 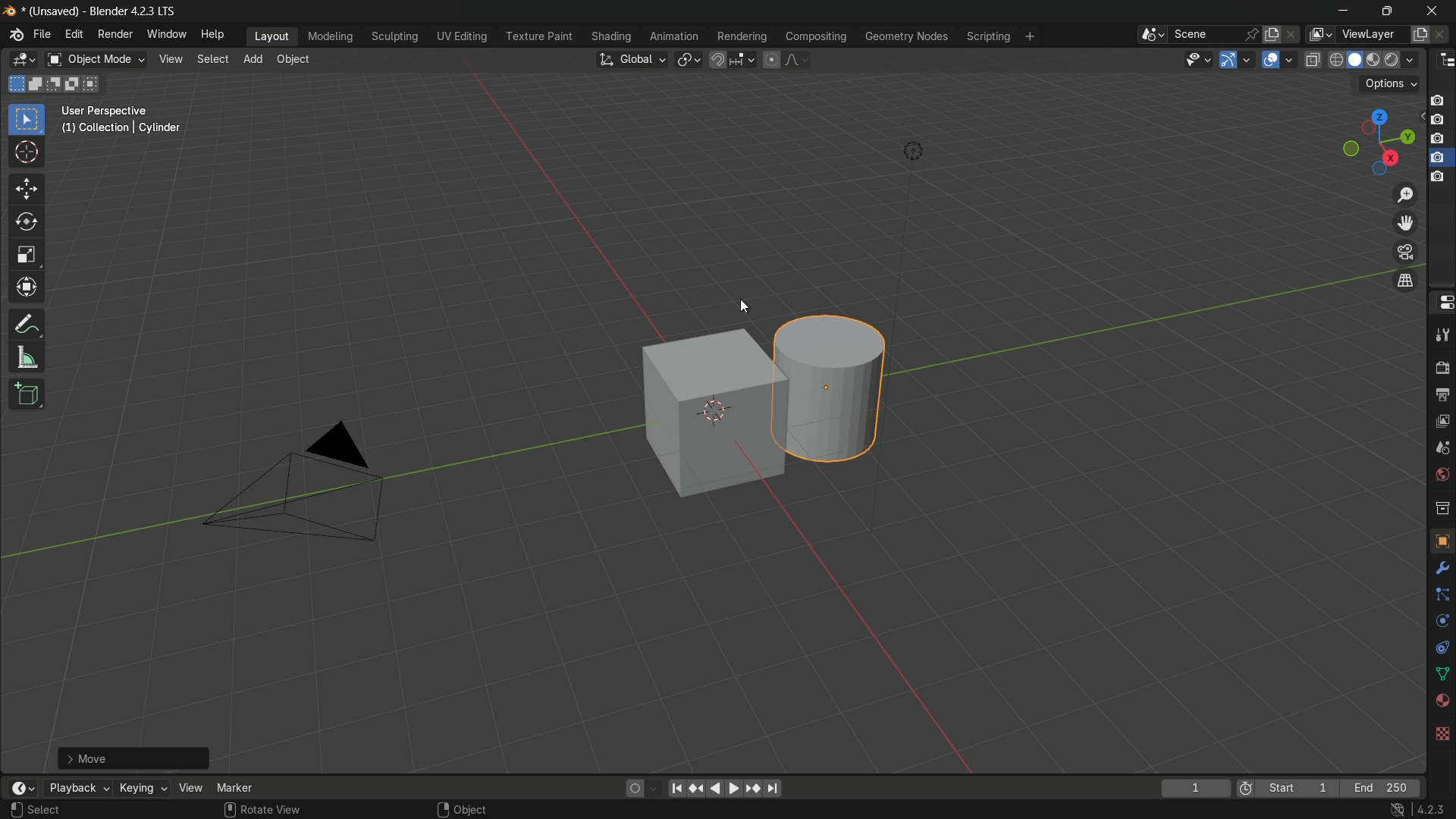 I want to click on move, so click(x=27, y=189).